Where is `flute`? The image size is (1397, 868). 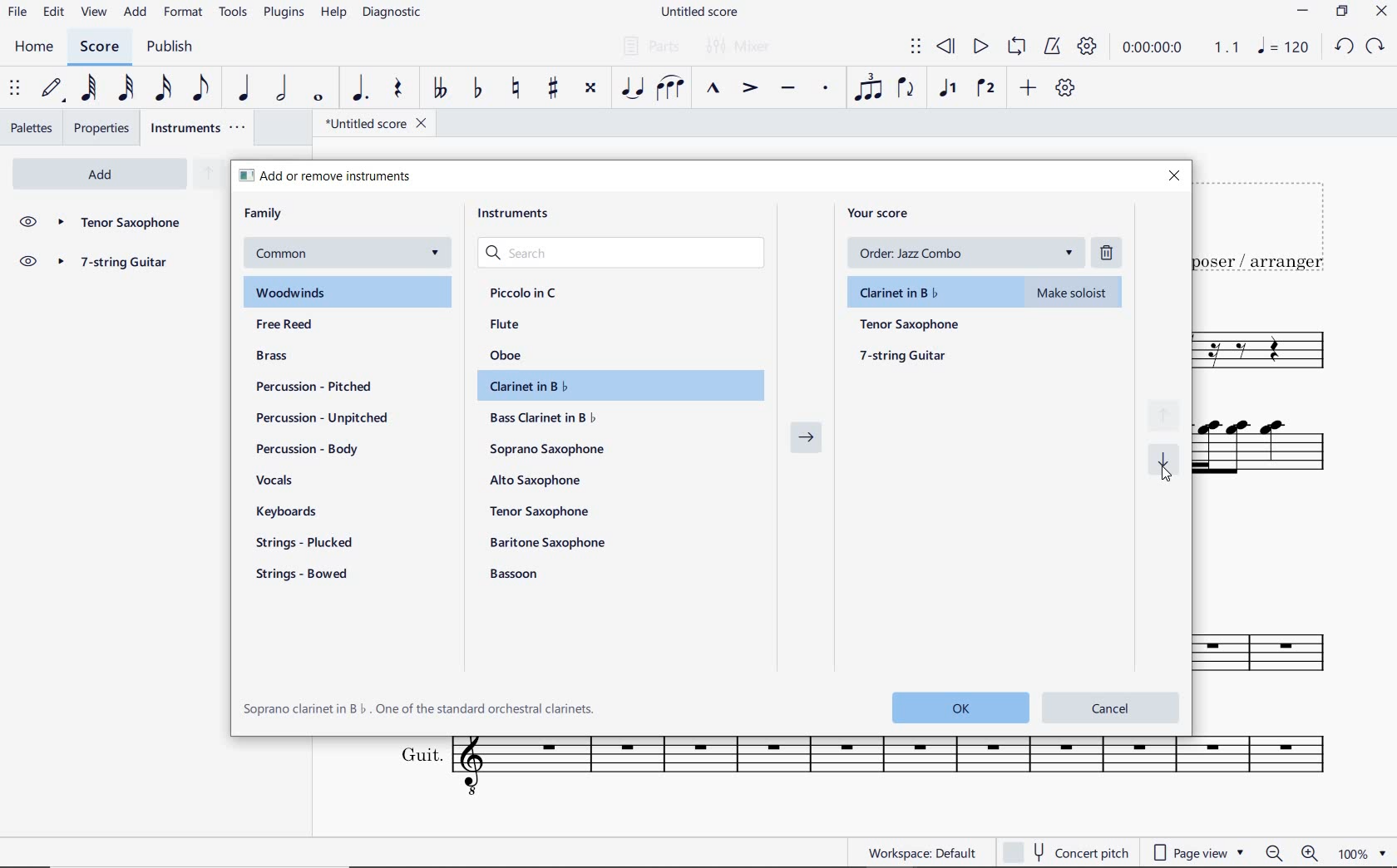
flute is located at coordinates (505, 323).